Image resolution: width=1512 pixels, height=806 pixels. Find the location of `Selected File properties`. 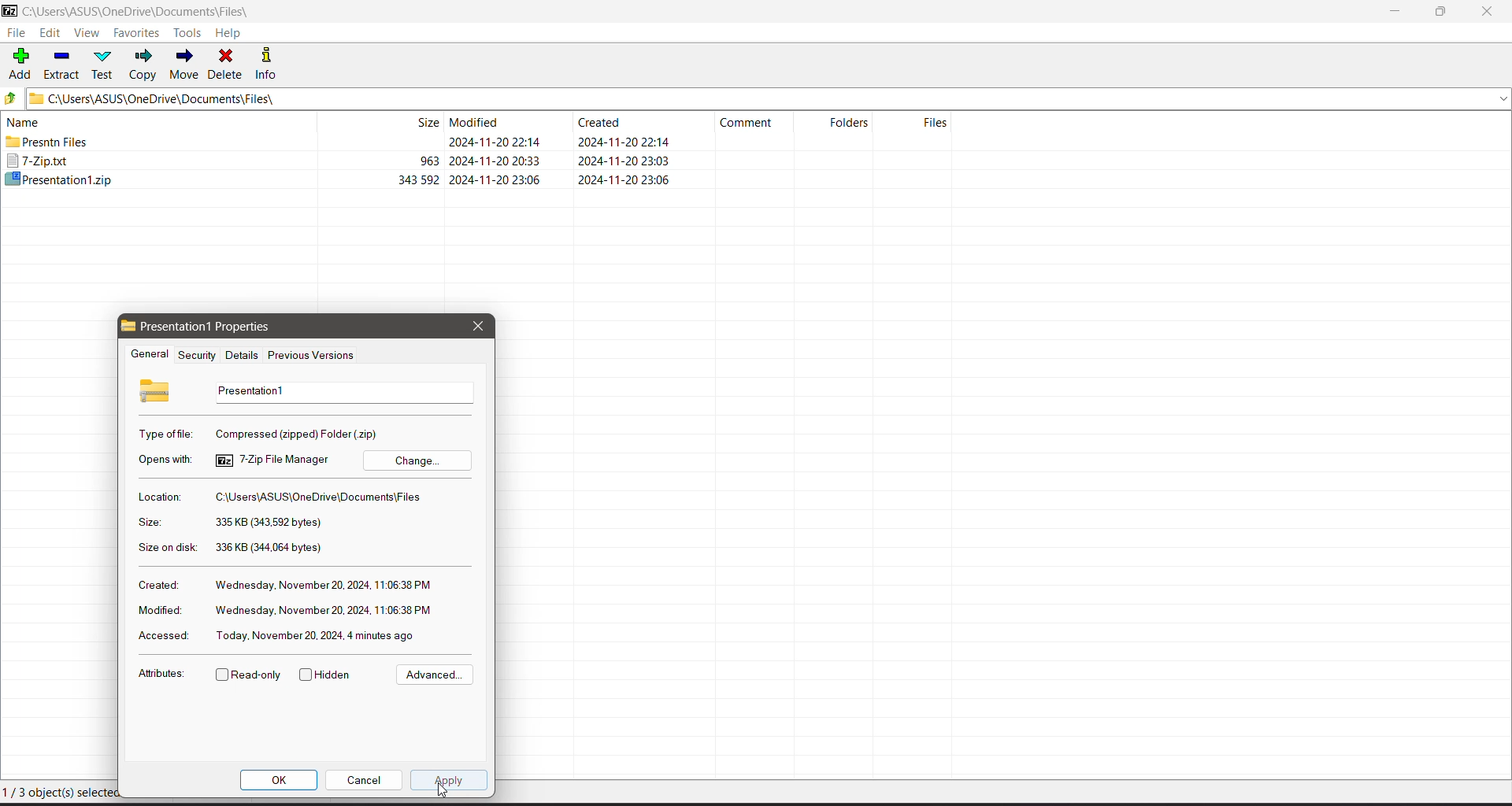

Selected File properties is located at coordinates (219, 327).